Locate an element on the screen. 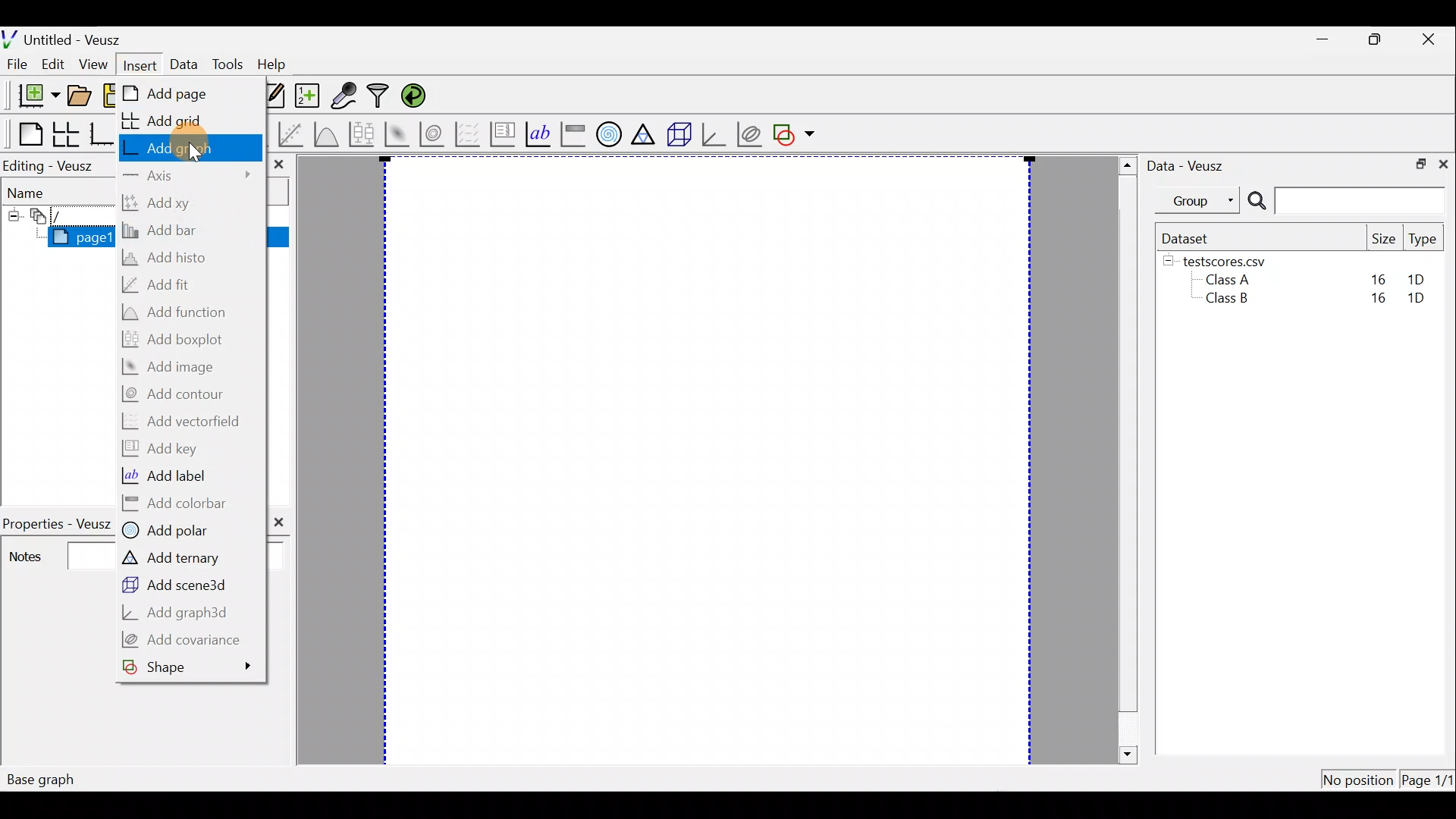 The width and height of the screenshot is (1456, 819). Blank page is located at coordinates (24, 132).